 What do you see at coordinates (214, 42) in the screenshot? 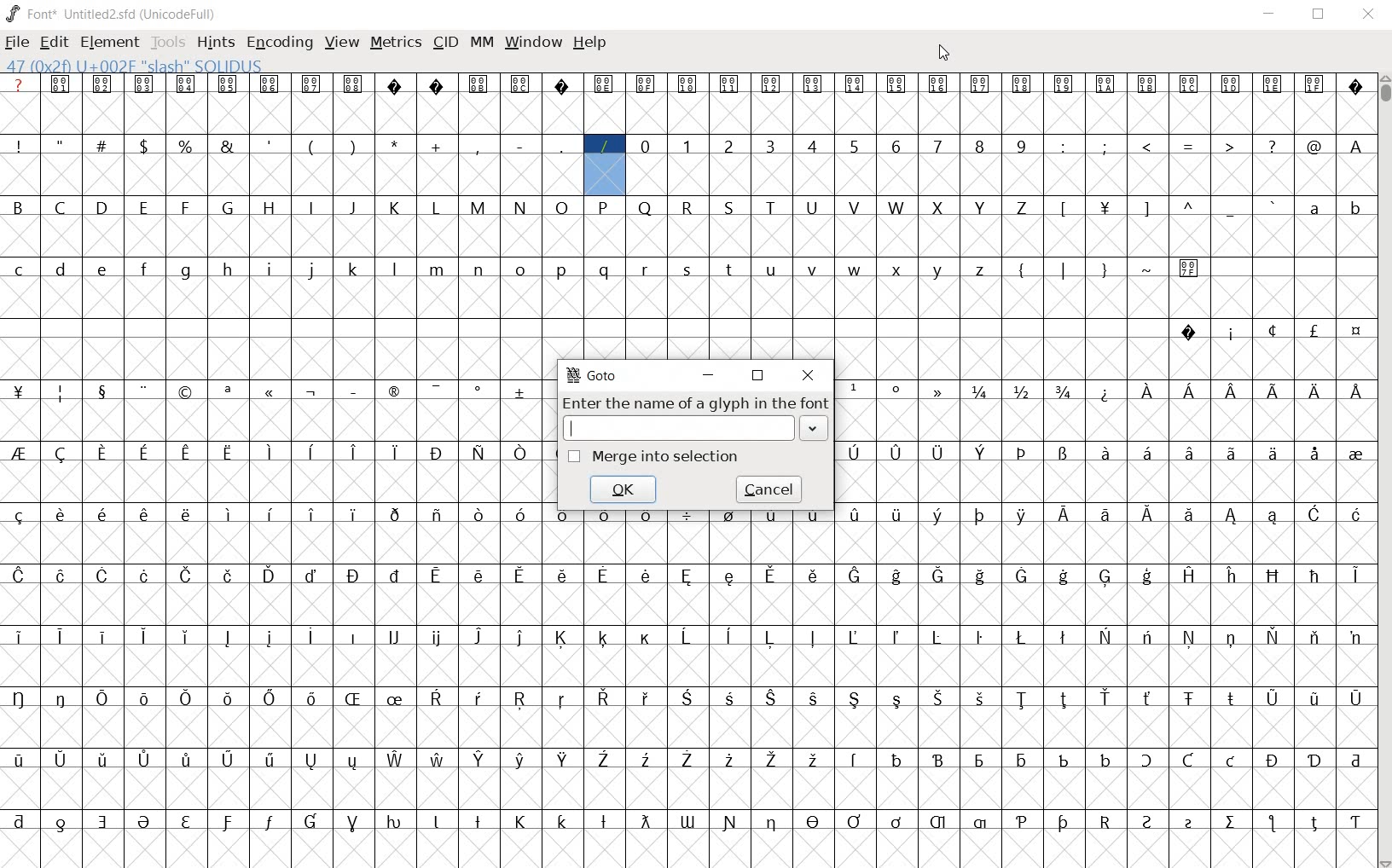
I see `HINTS` at bounding box center [214, 42].